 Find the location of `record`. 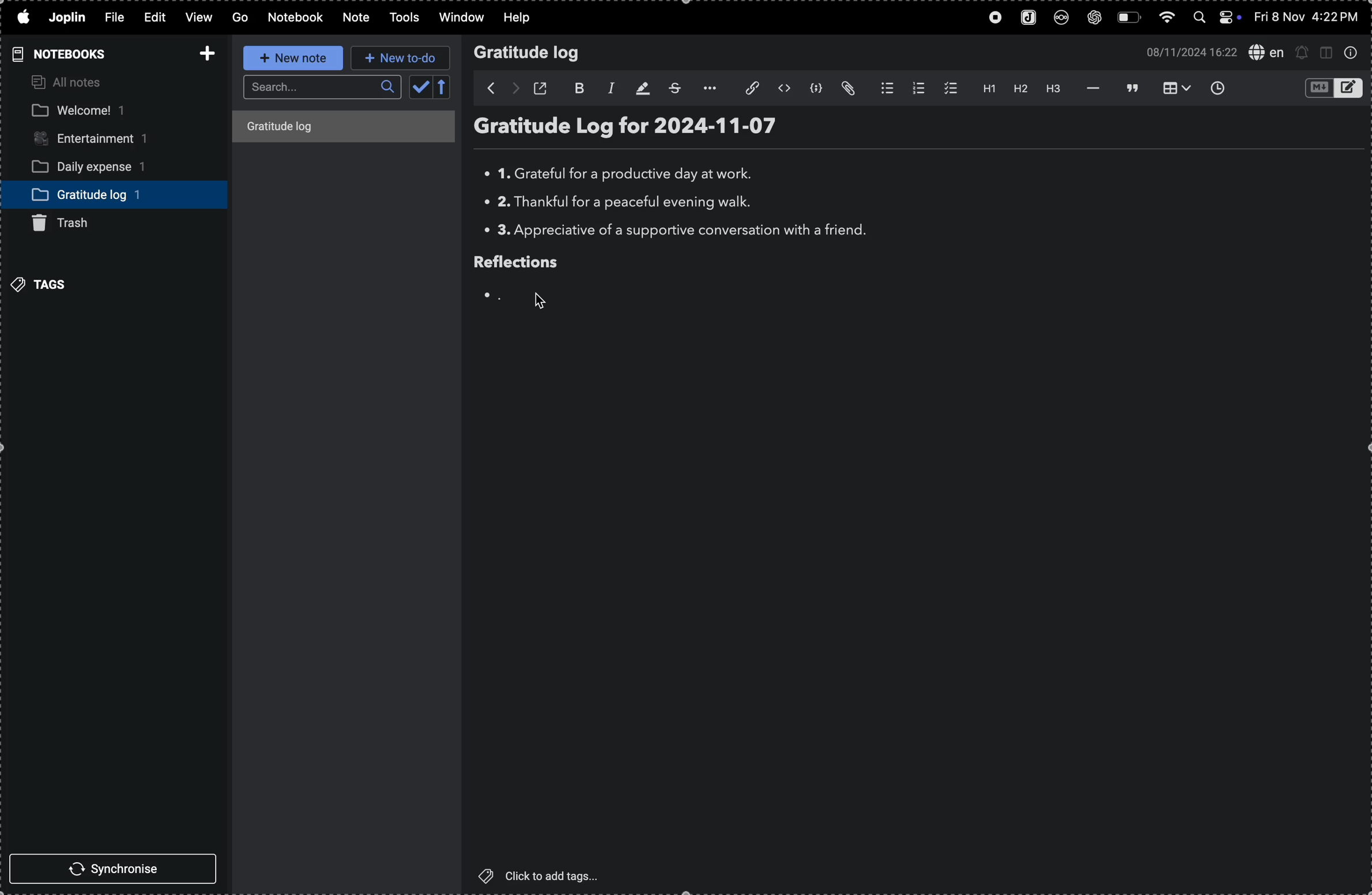

record is located at coordinates (996, 17).